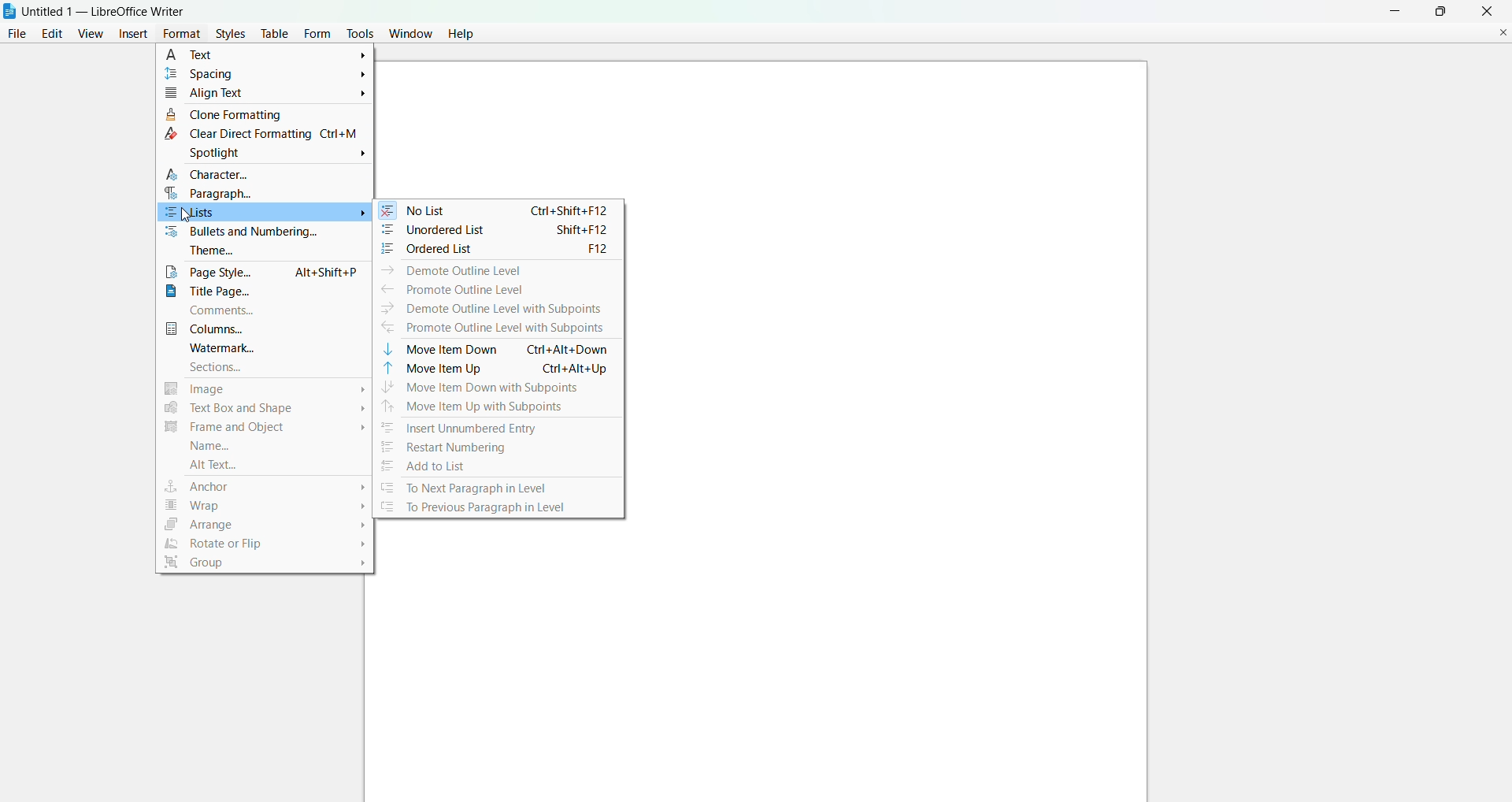 The height and width of the screenshot is (802, 1512). What do you see at coordinates (497, 369) in the screenshot?
I see `move item up  Ctrl+Alt+Up` at bounding box center [497, 369].